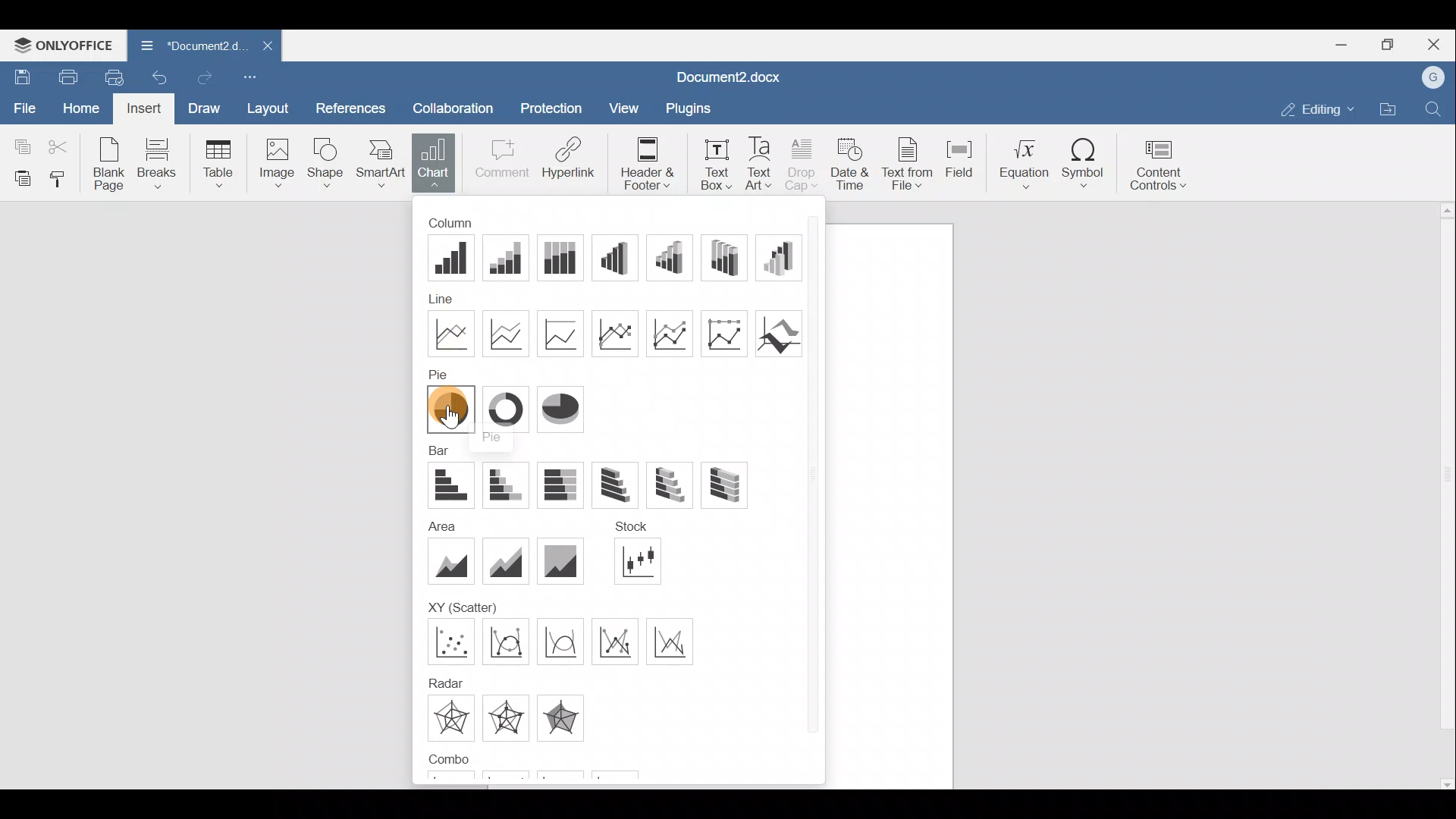 This screenshot has height=819, width=1456. I want to click on Blank page, so click(105, 162).